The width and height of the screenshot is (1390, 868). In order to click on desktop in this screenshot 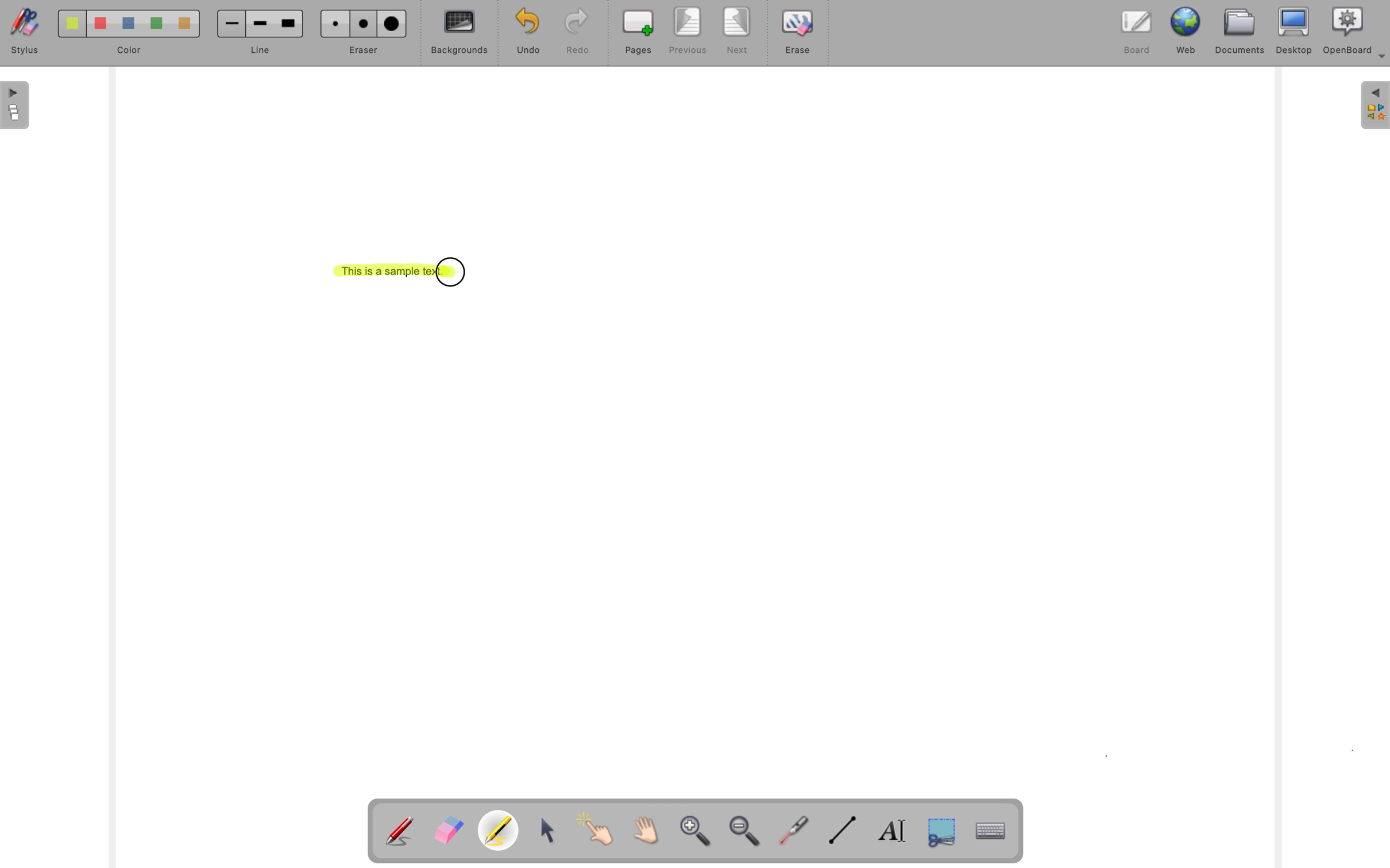, I will do `click(1295, 31)`.